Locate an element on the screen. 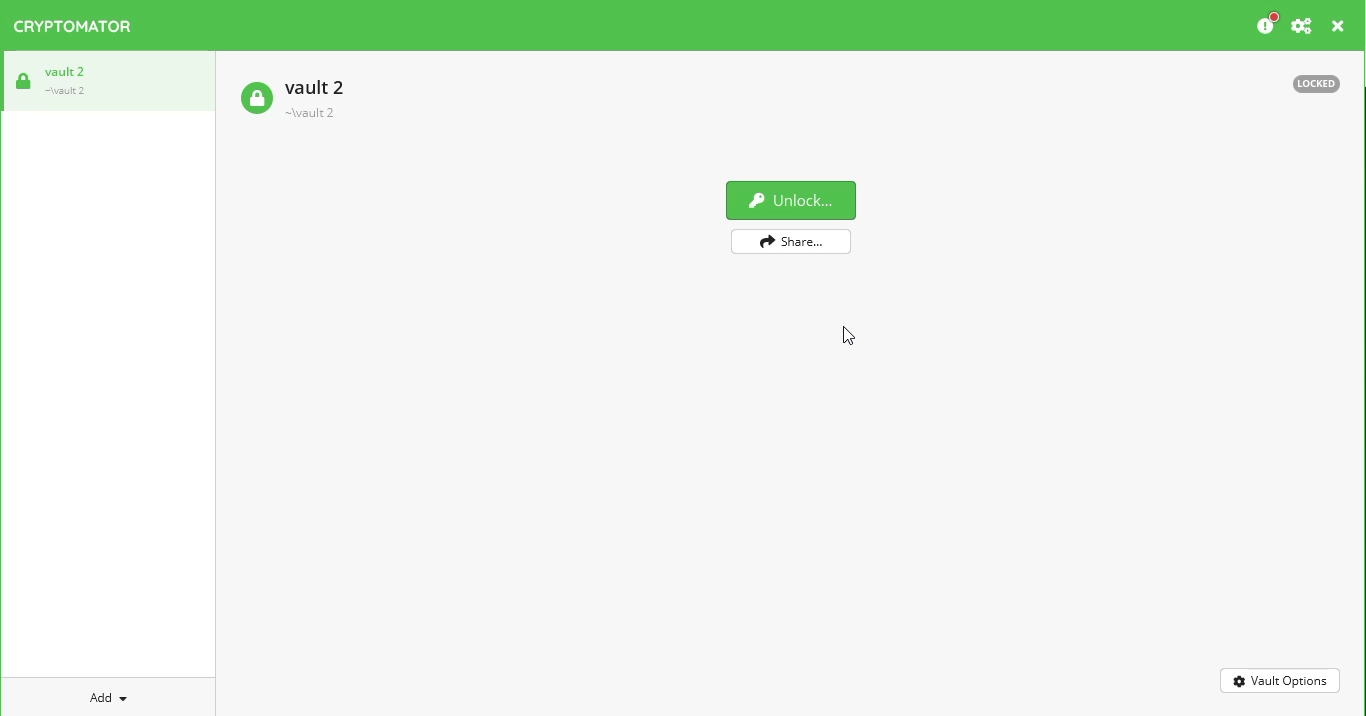 Image resolution: width=1366 pixels, height=716 pixels. unlock is located at coordinates (791, 200).